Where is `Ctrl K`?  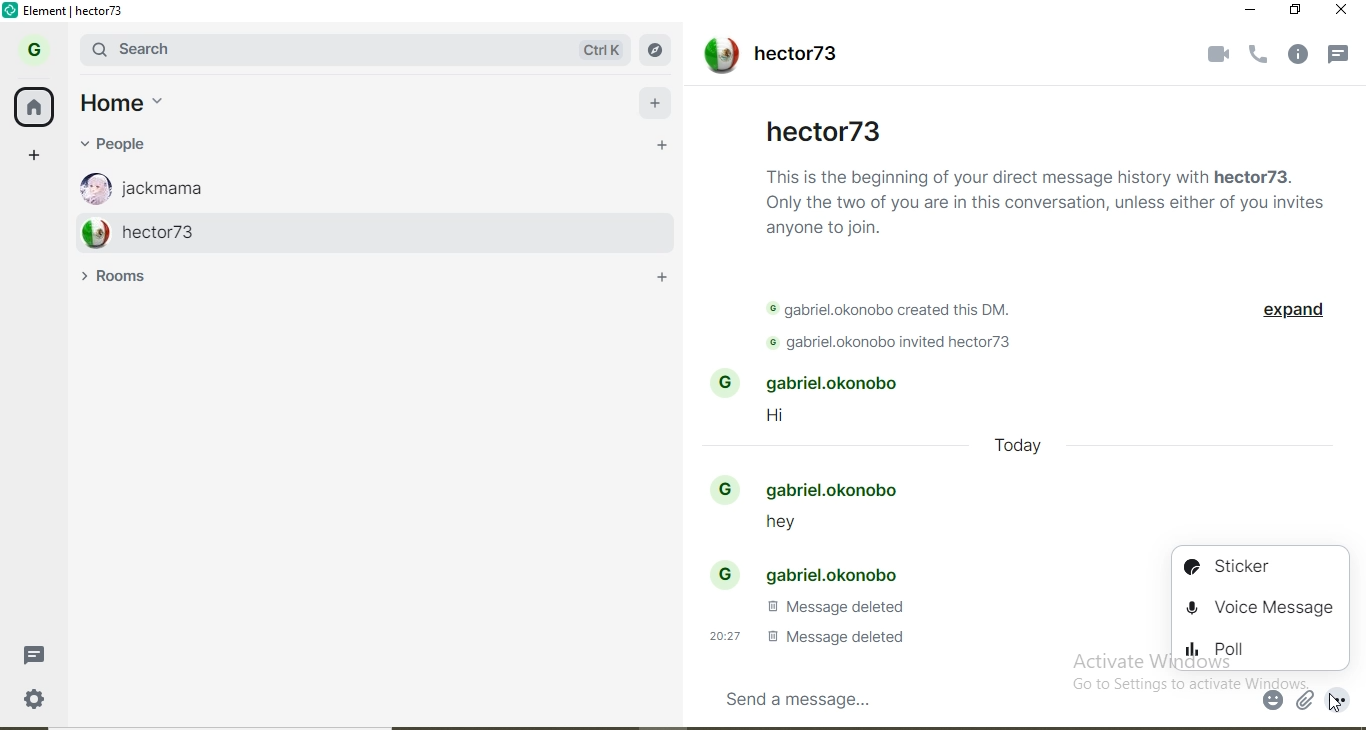
Ctrl K is located at coordinates (602, 50).